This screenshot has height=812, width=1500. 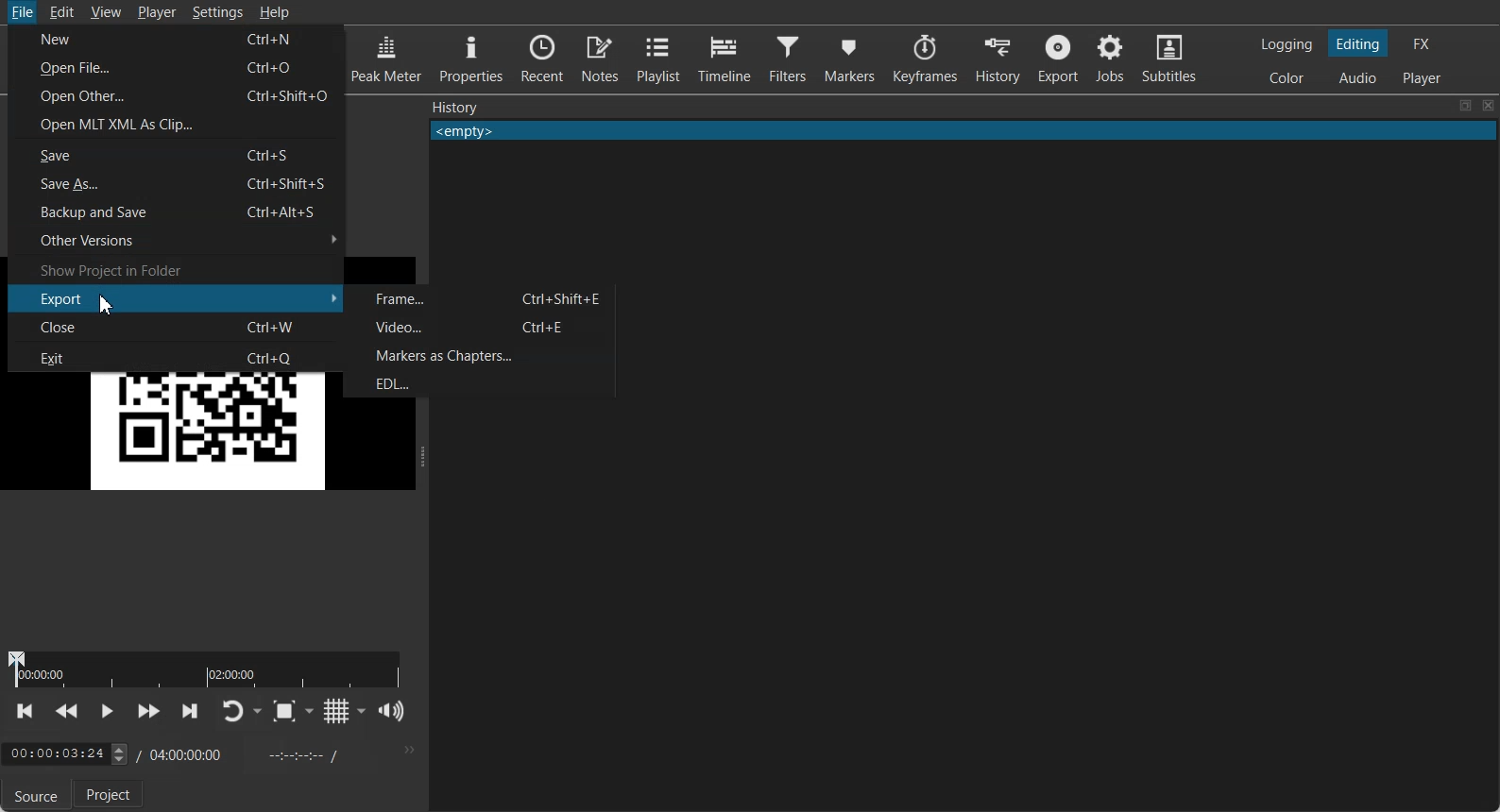 I want to click on duration, so click(x=201, y=670).